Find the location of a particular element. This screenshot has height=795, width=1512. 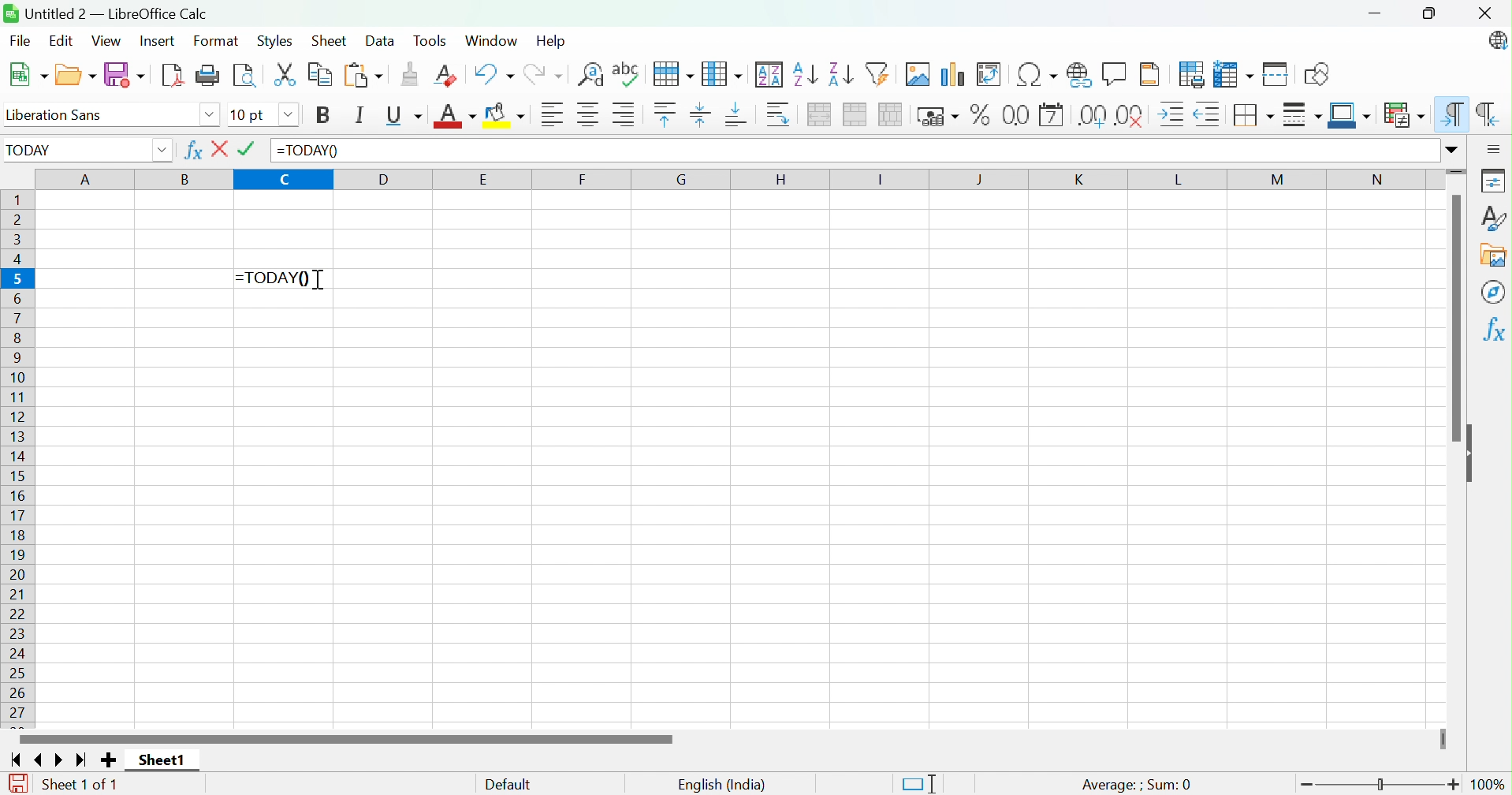

Clone formatting is located at coordinates (408, 74).